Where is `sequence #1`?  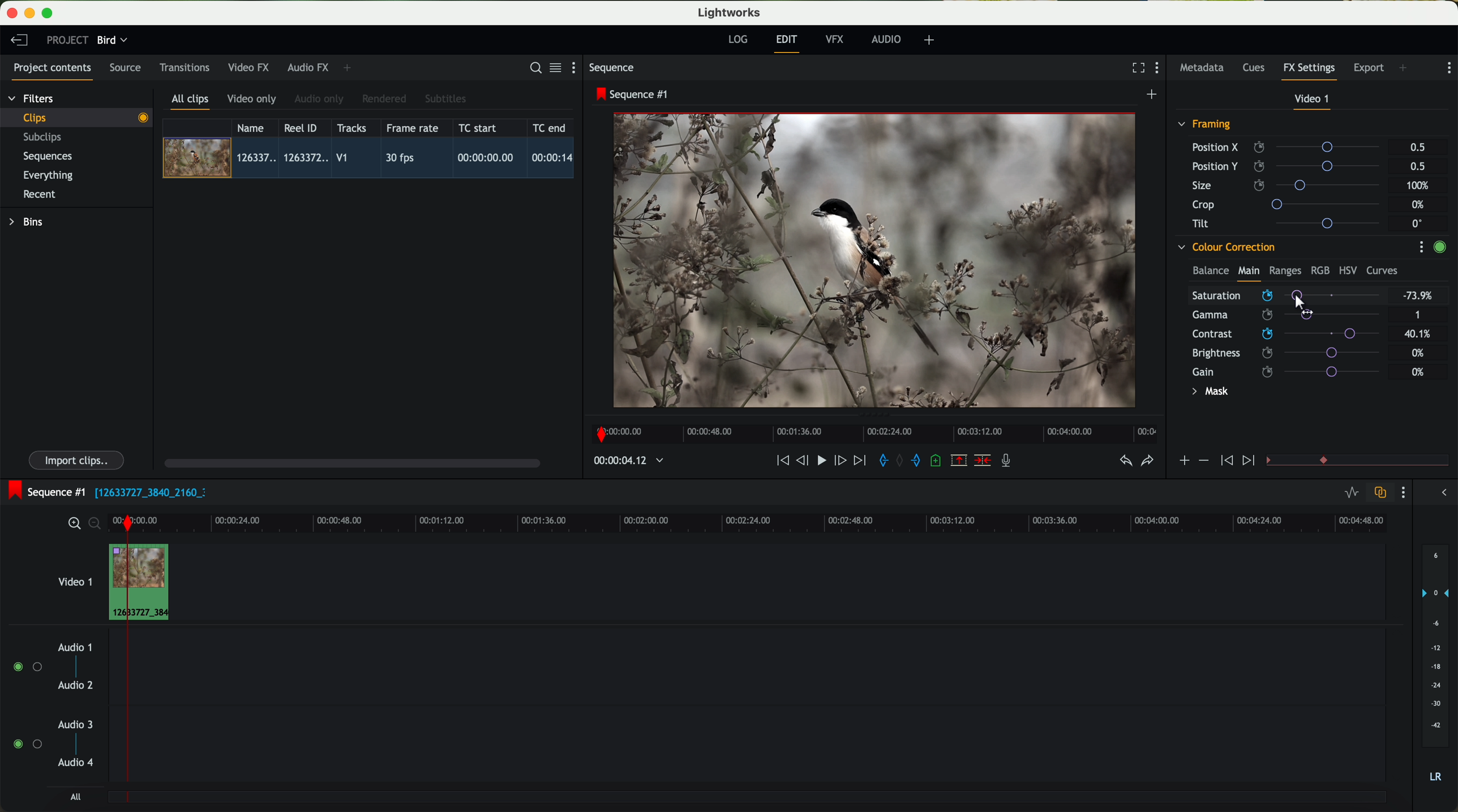 sequence #1 is located at coordinates (44, 492).